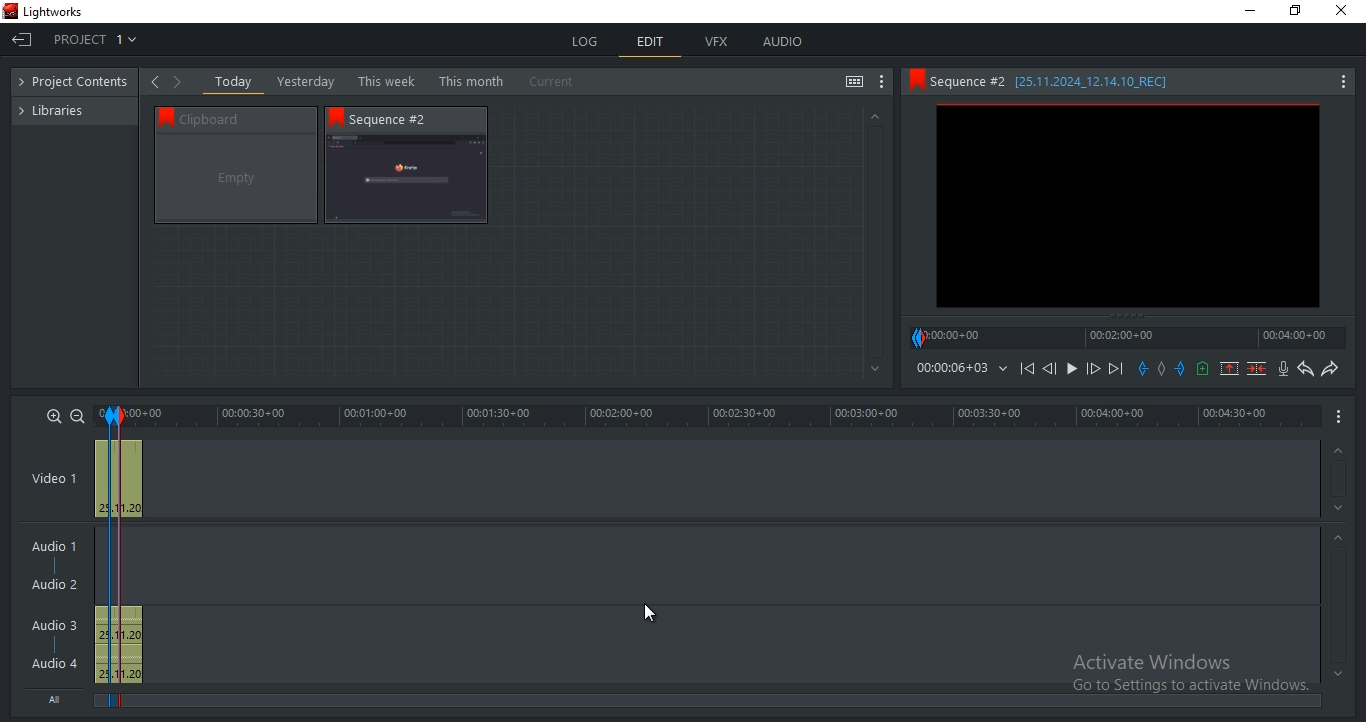 This screenshot has width=1366, height=722. What do you see at coordinates (50, 548) in the screenshot?
I see `Audio 1` at bounding box center [50, 548].